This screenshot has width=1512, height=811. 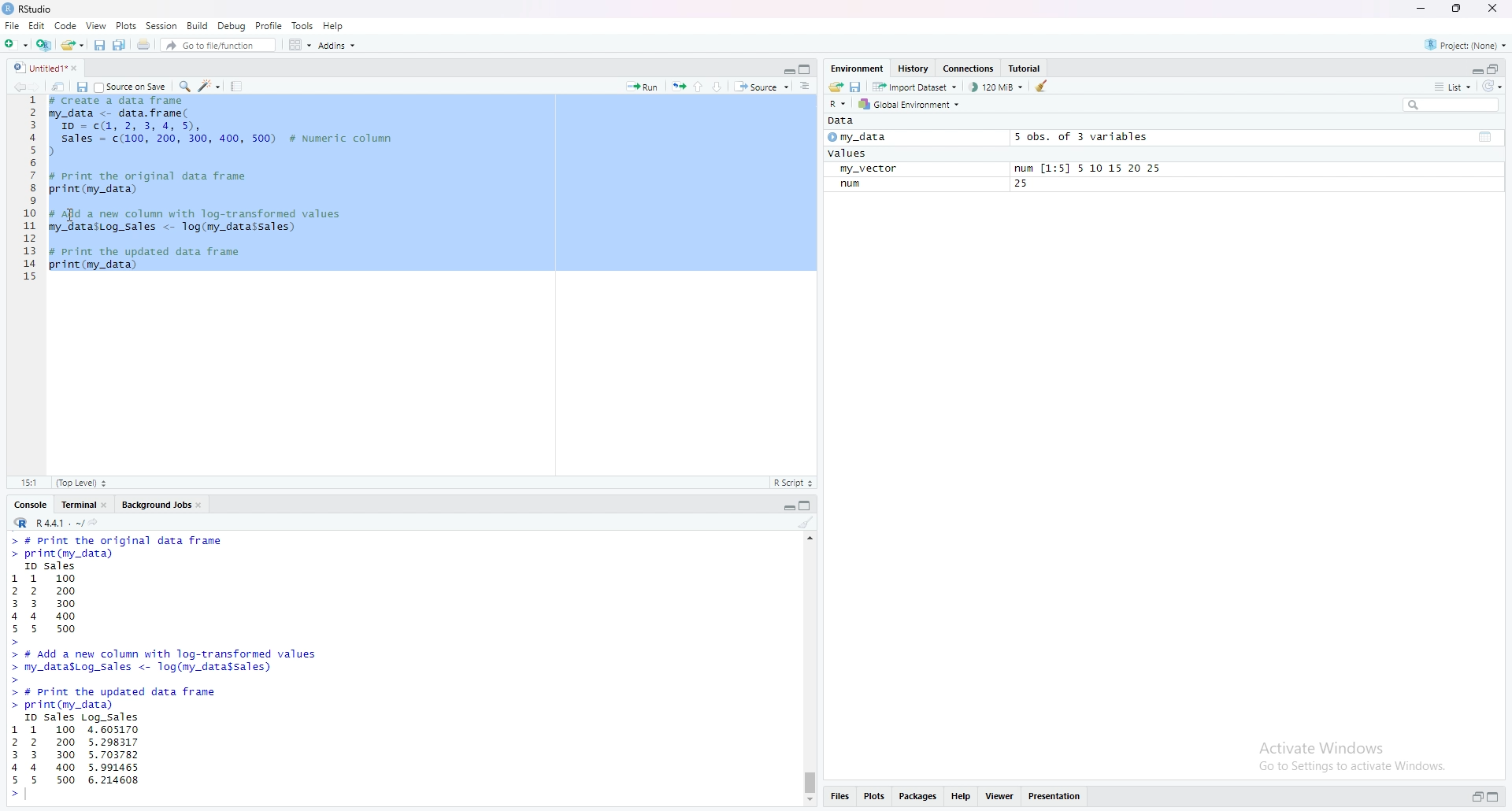 What do you see at coordinates (642, 84) in the screenshot?
I see `run the current line or selection` at bounding box center [642, 84].